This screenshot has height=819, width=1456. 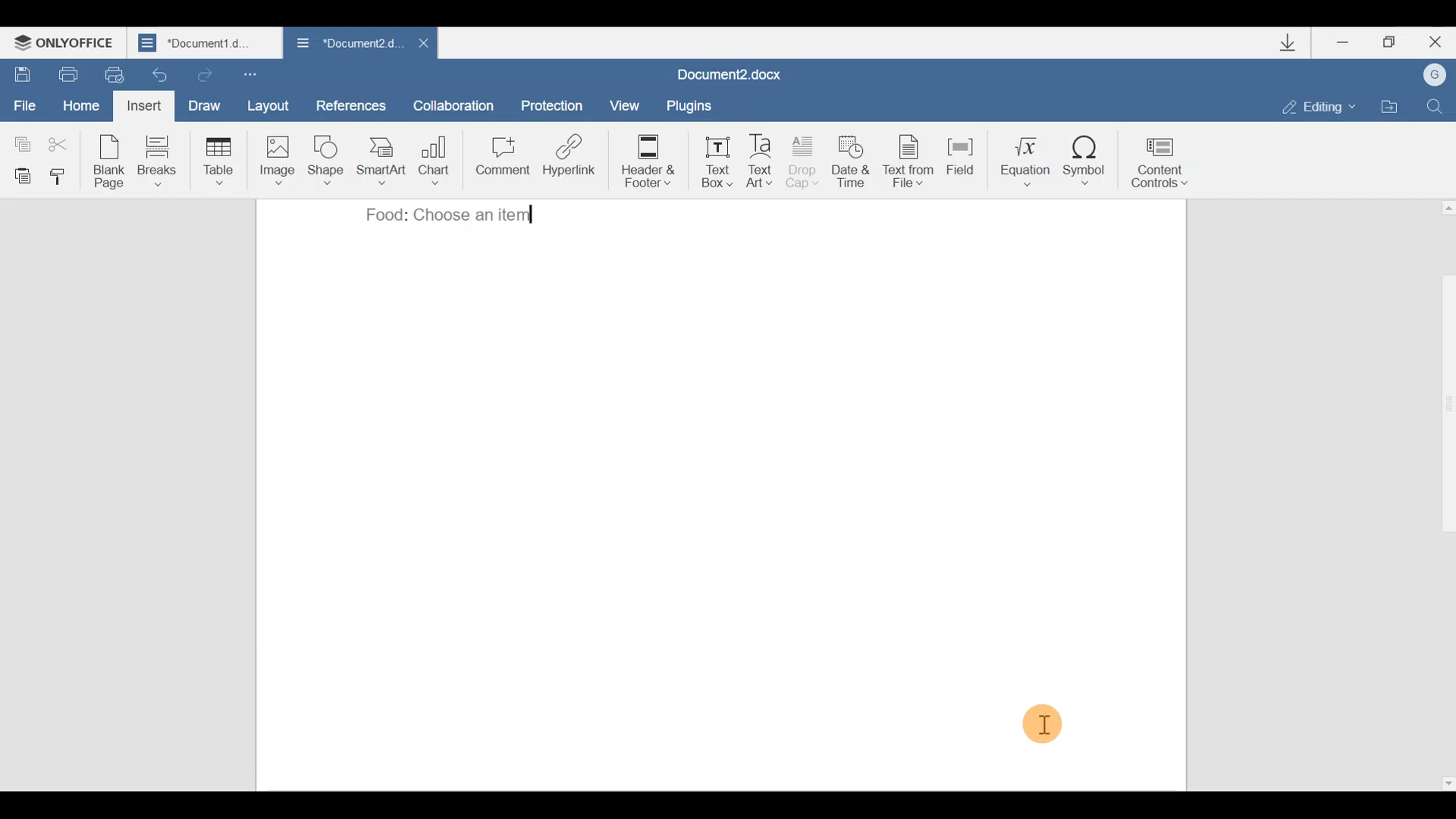 I want to click on Cursor, so click(x=1046, y=723).